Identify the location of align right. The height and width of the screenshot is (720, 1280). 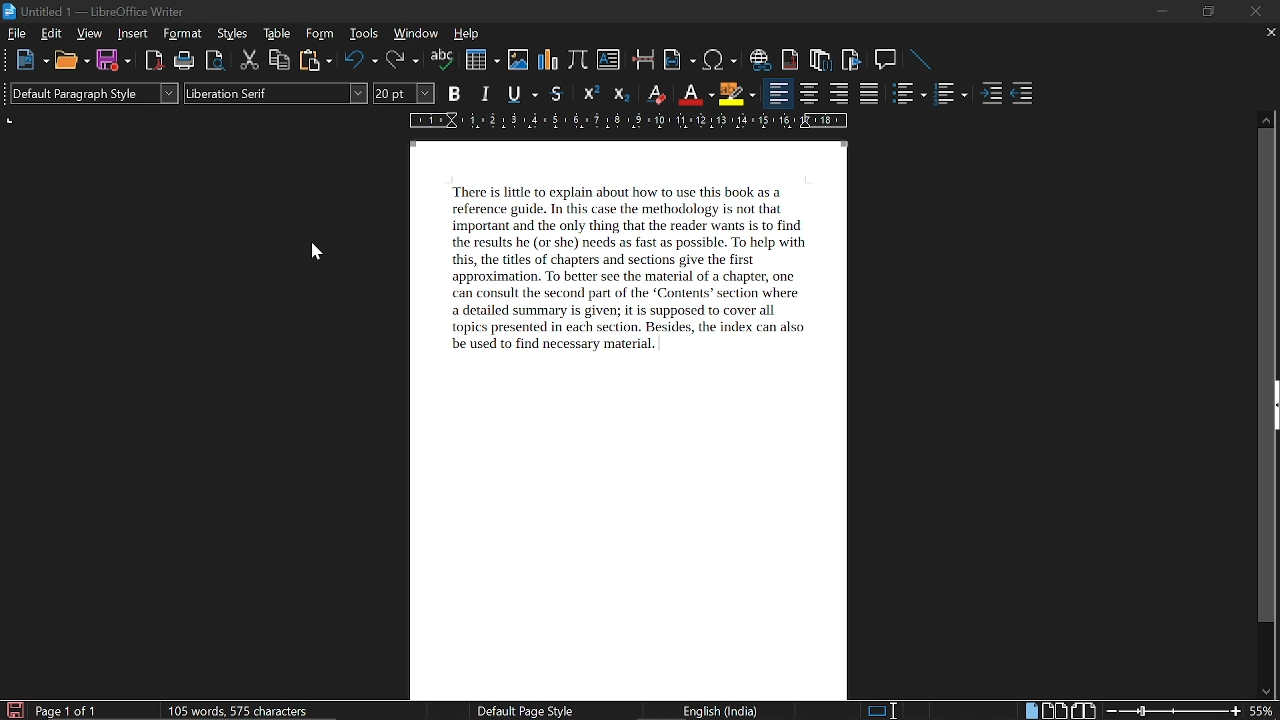
(838, 94).